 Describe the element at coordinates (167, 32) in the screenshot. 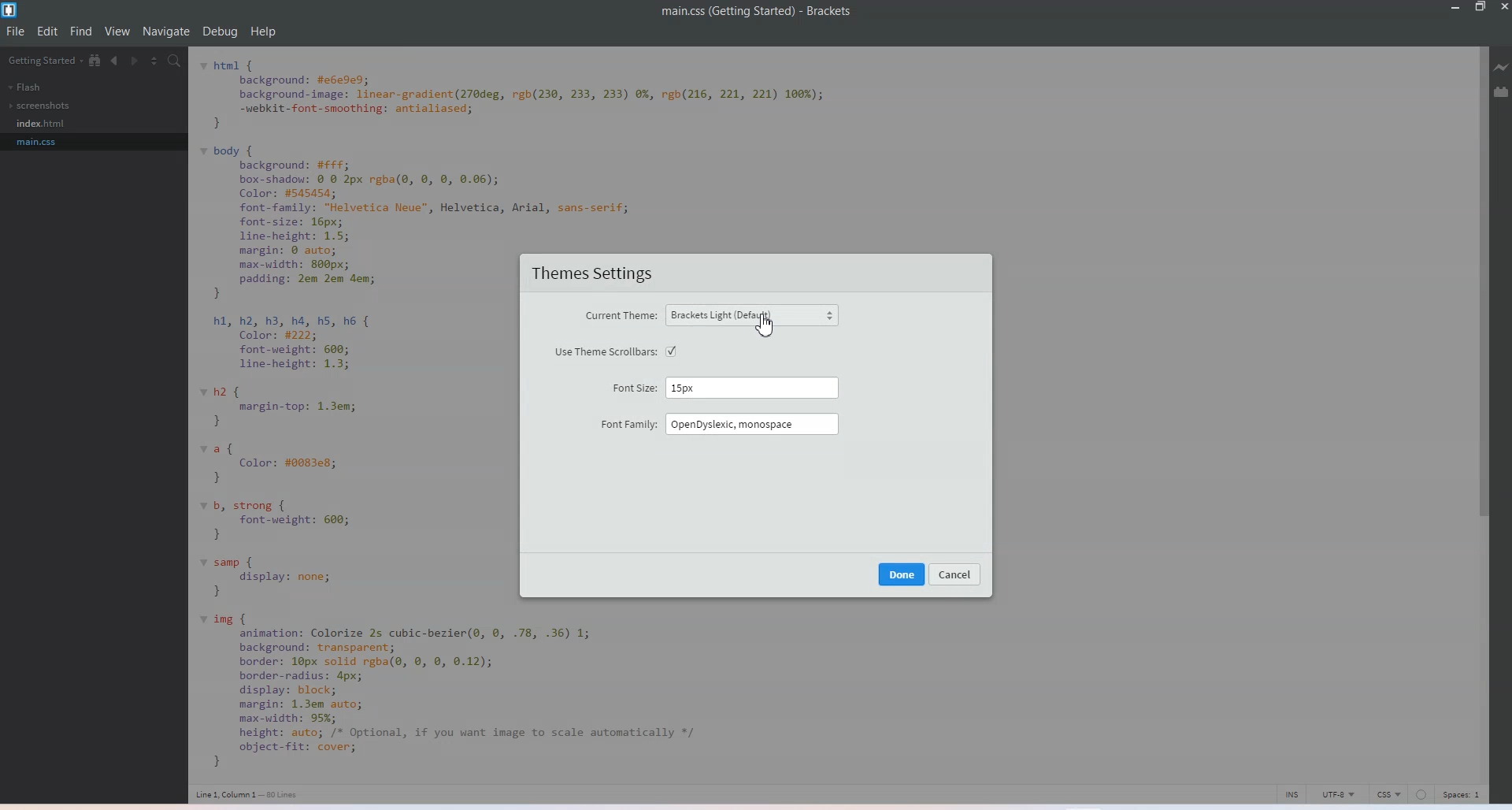

I see `Navigate` at that location.